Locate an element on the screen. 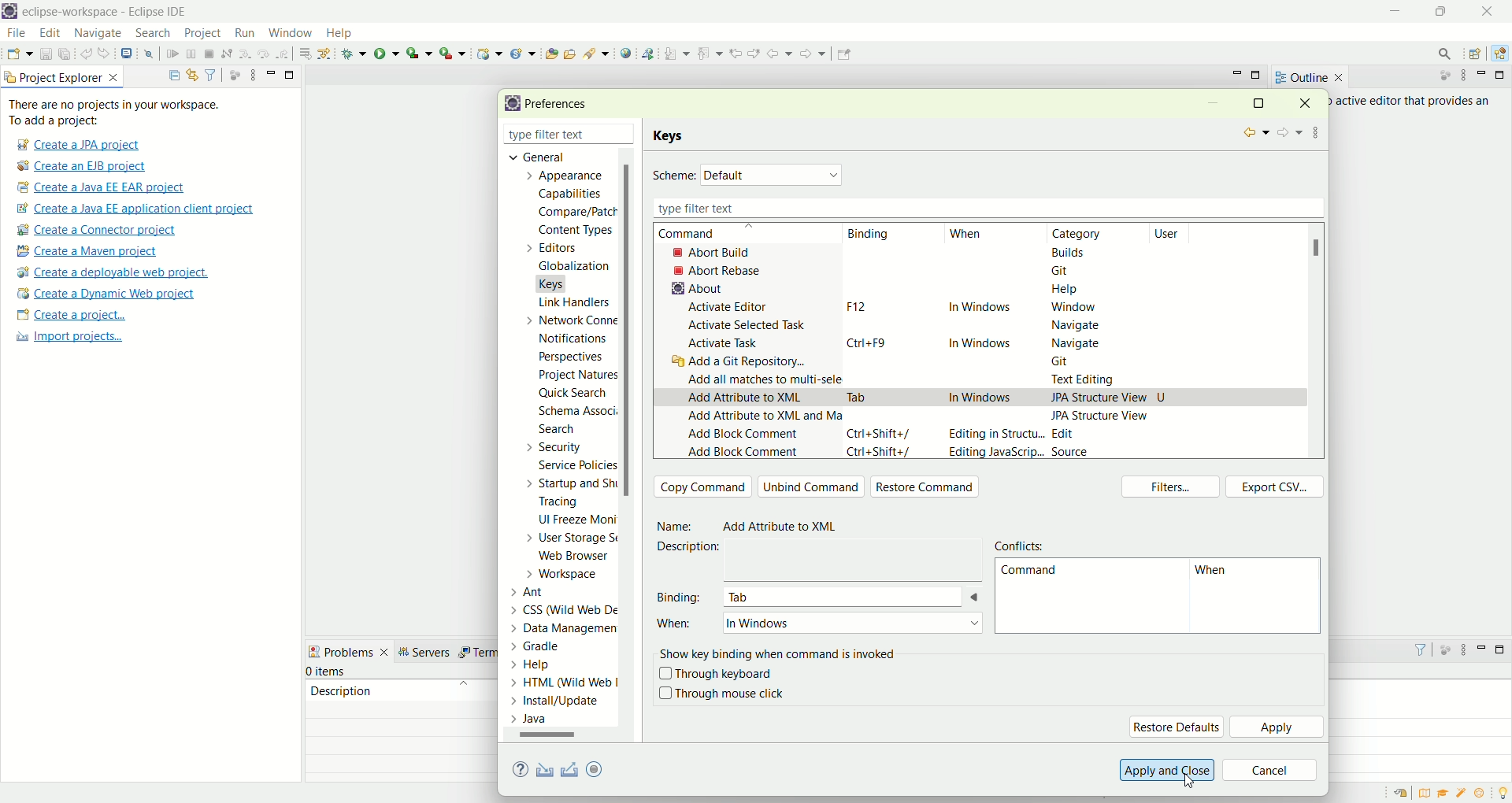  category is located at coordinates (1084, 234).